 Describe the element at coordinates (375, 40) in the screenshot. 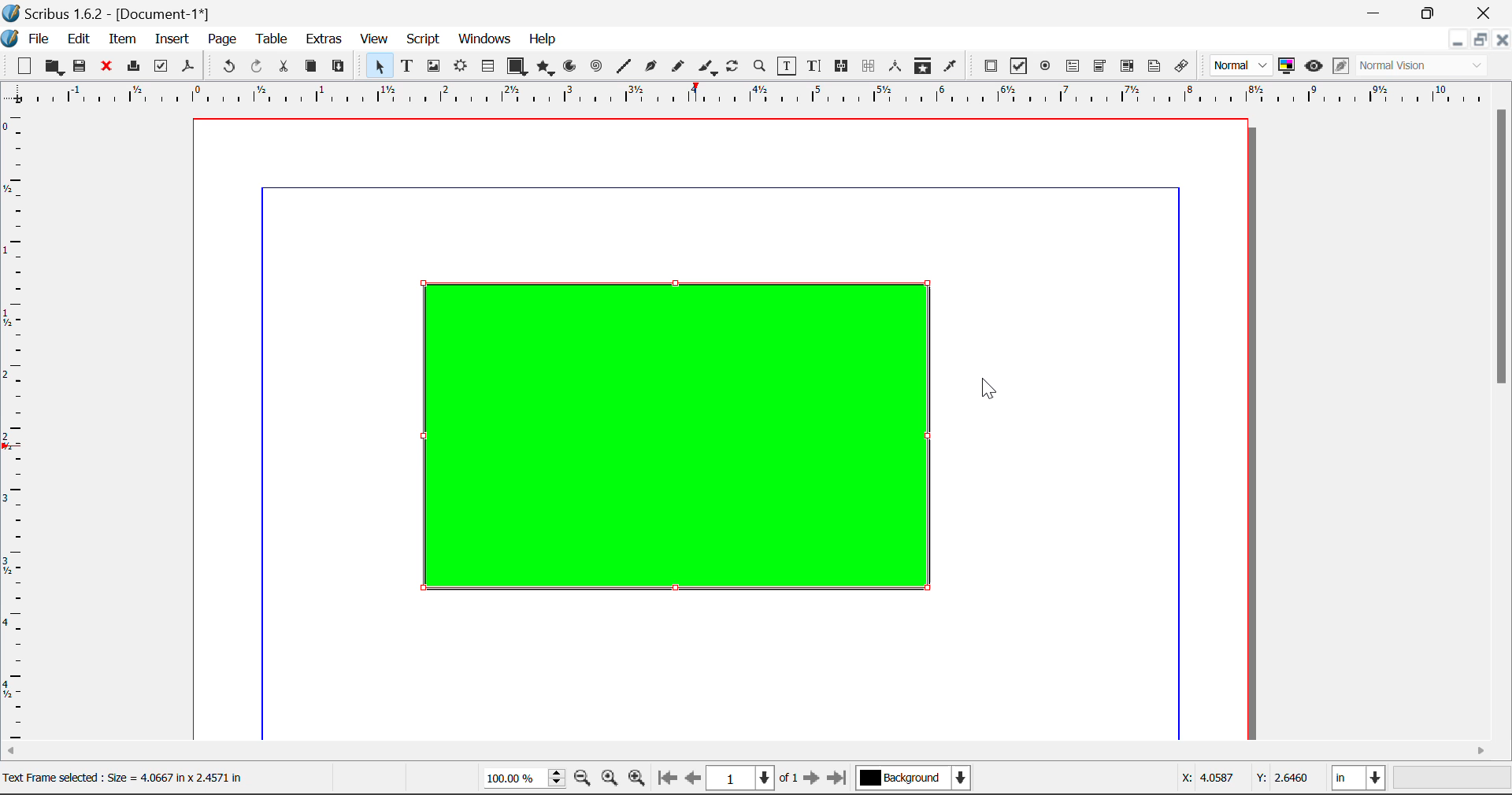

I see `View` at that location.